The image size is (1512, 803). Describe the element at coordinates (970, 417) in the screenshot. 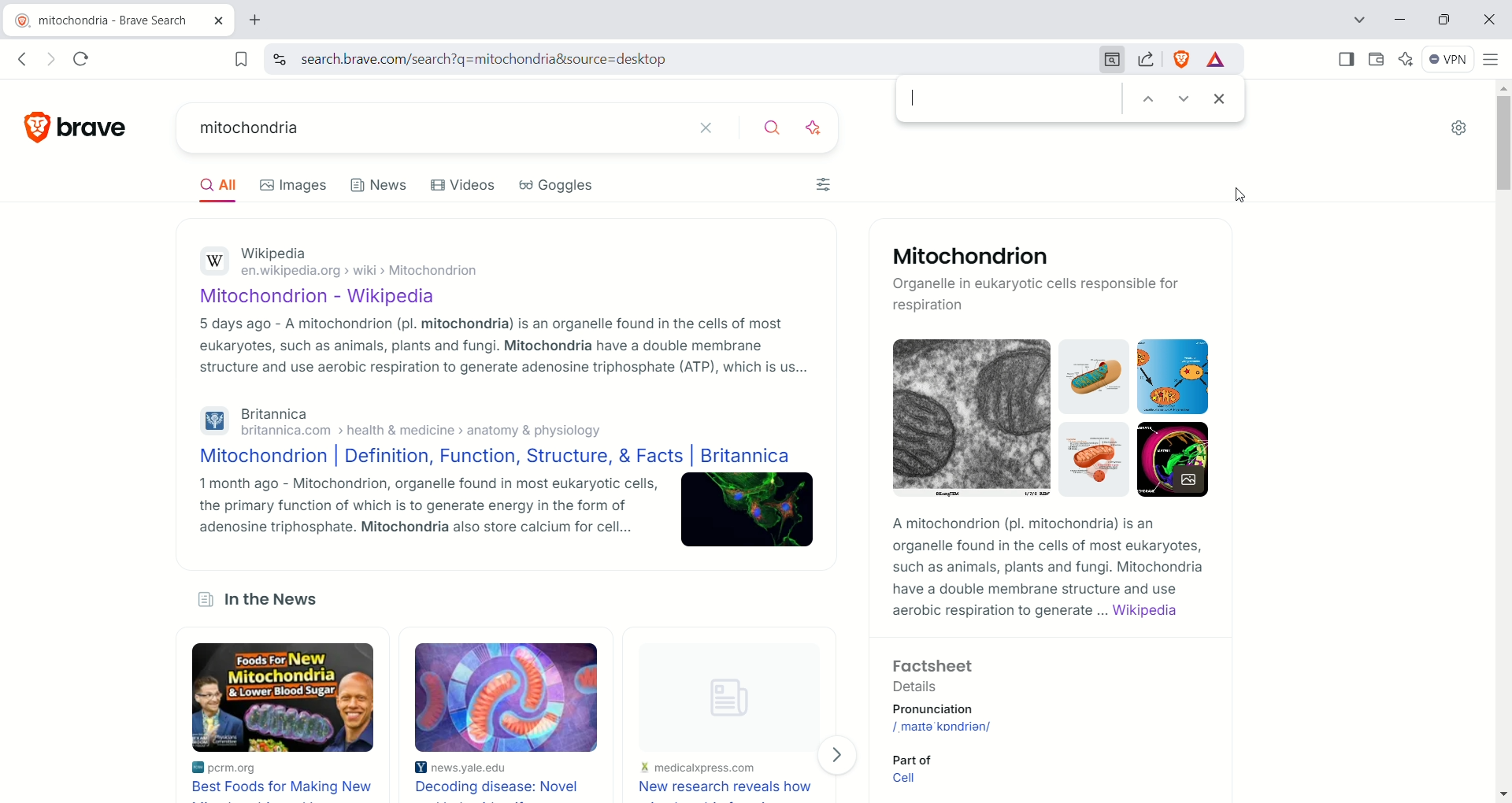

I see `Image` at that location.